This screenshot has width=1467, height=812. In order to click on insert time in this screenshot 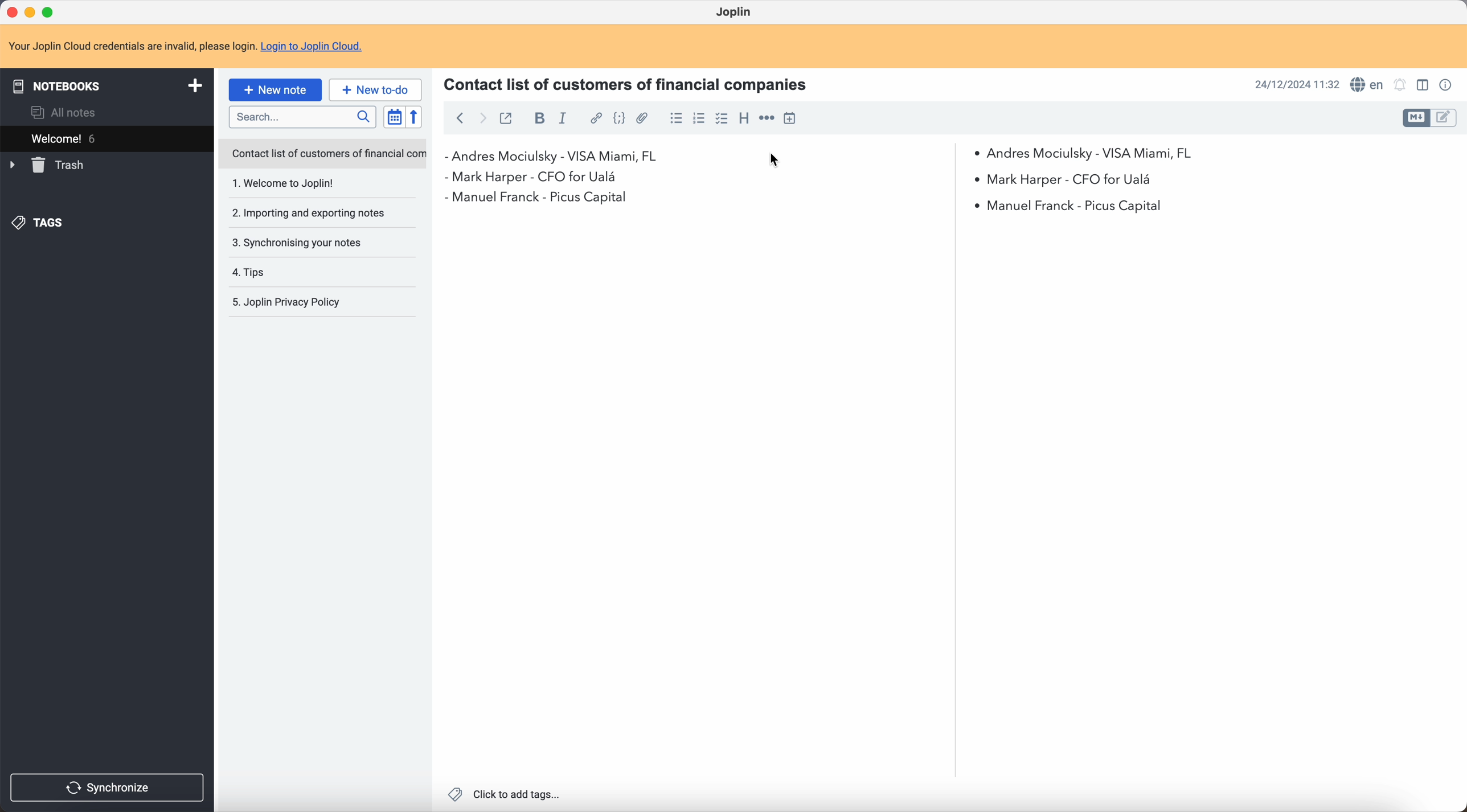, I will do `click(789, 118)`.